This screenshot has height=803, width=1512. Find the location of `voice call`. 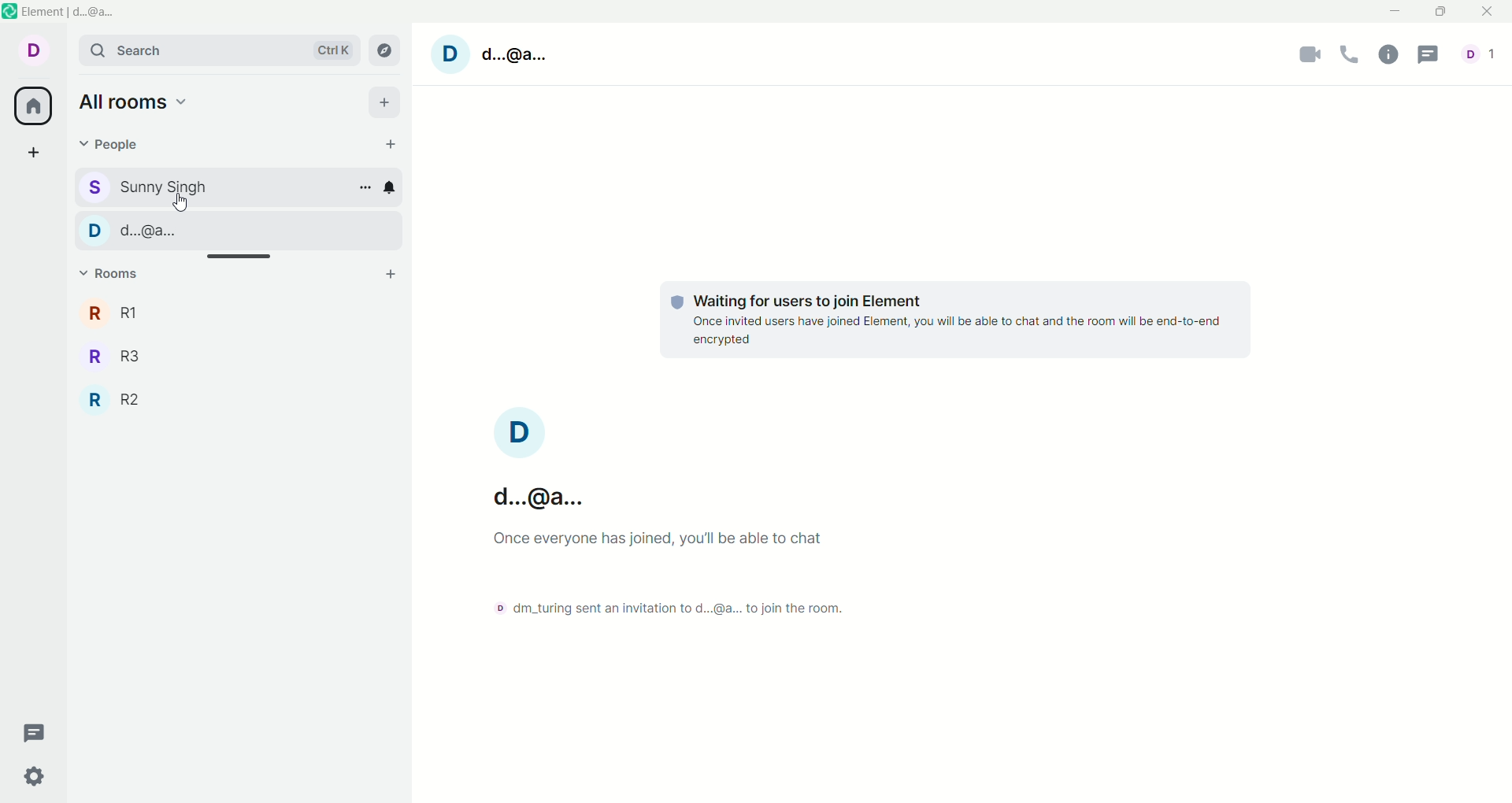

voice call is located at coordinates (1353, 56).